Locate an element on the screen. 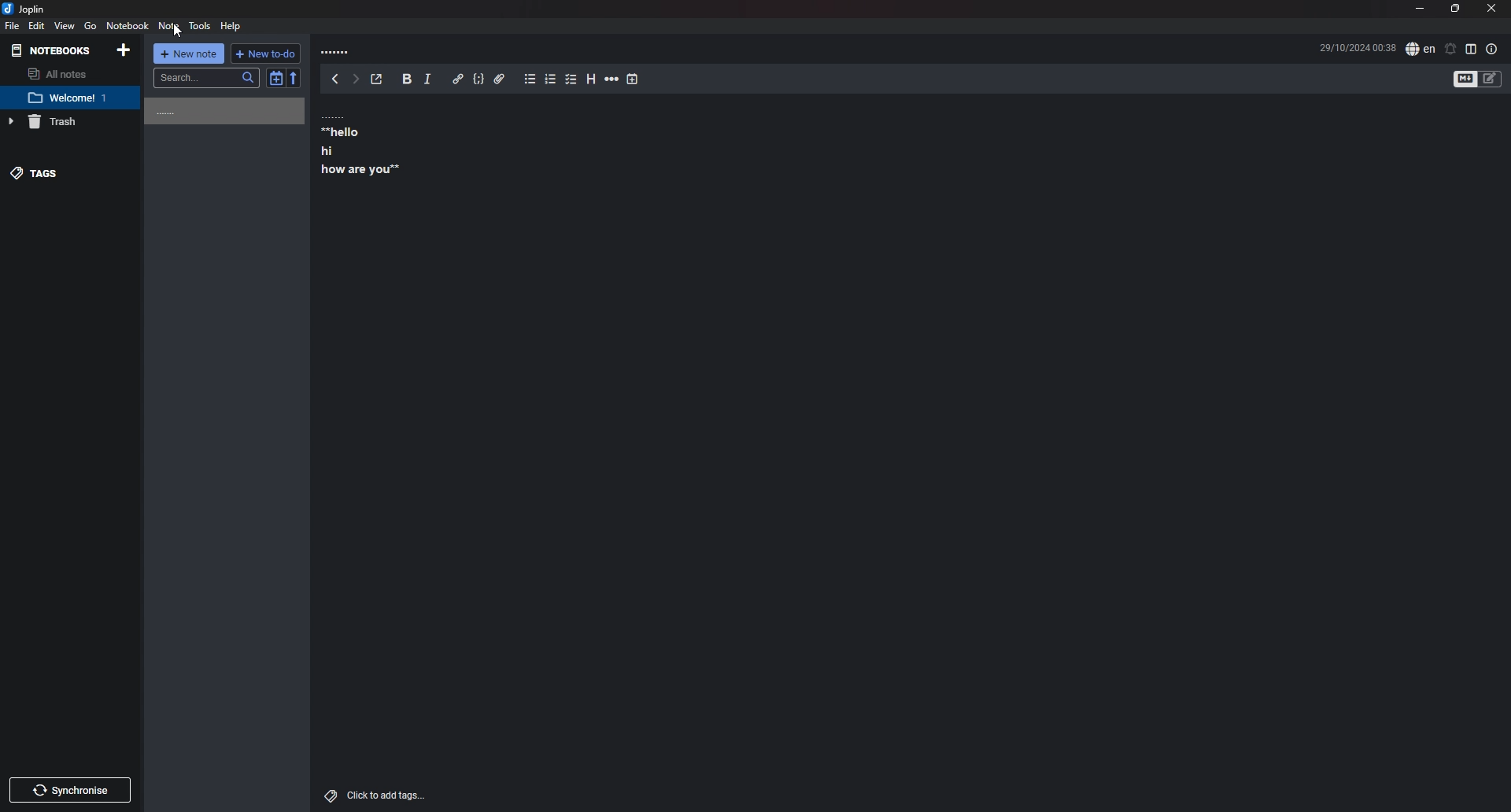 The height and width of the screenshot is (812, 1511). File is located at coordinates (13, 25).